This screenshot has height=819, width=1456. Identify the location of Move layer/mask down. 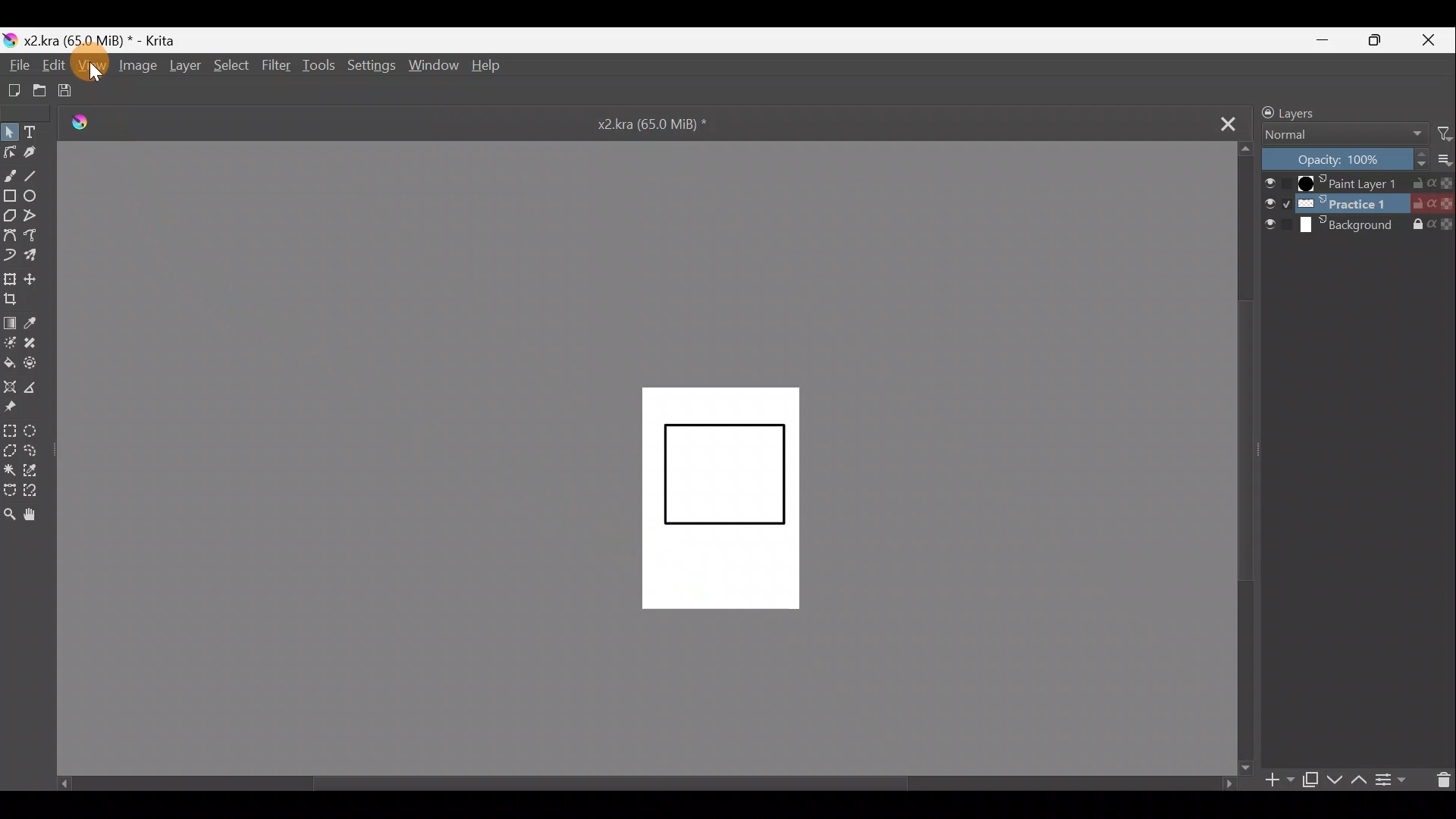
(1332, 780).